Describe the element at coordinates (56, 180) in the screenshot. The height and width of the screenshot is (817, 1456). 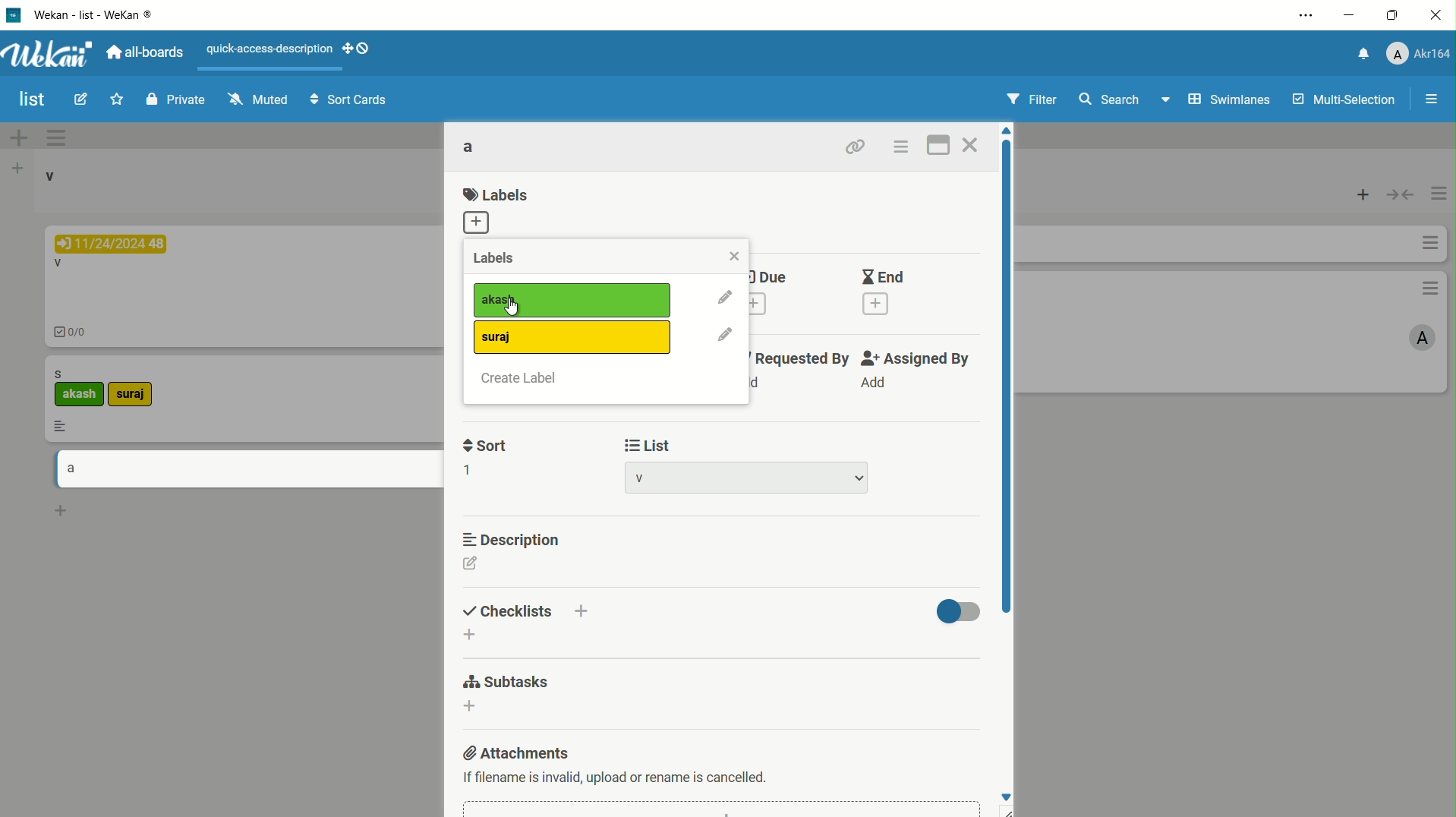
I see `v` at that location.